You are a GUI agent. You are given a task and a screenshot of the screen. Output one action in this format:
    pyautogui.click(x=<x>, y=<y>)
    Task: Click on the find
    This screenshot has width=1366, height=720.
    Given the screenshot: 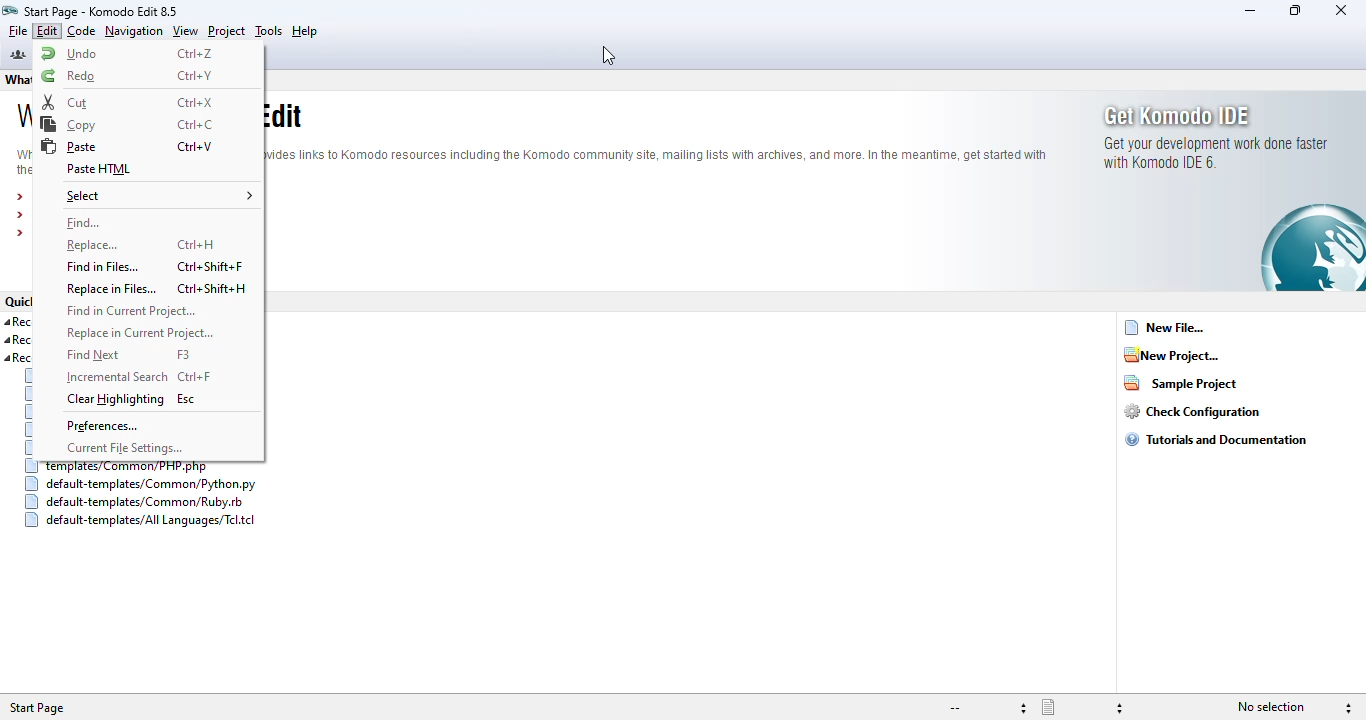 What is the action you would take?
    pyautogui.click(x=82, y=223)
    